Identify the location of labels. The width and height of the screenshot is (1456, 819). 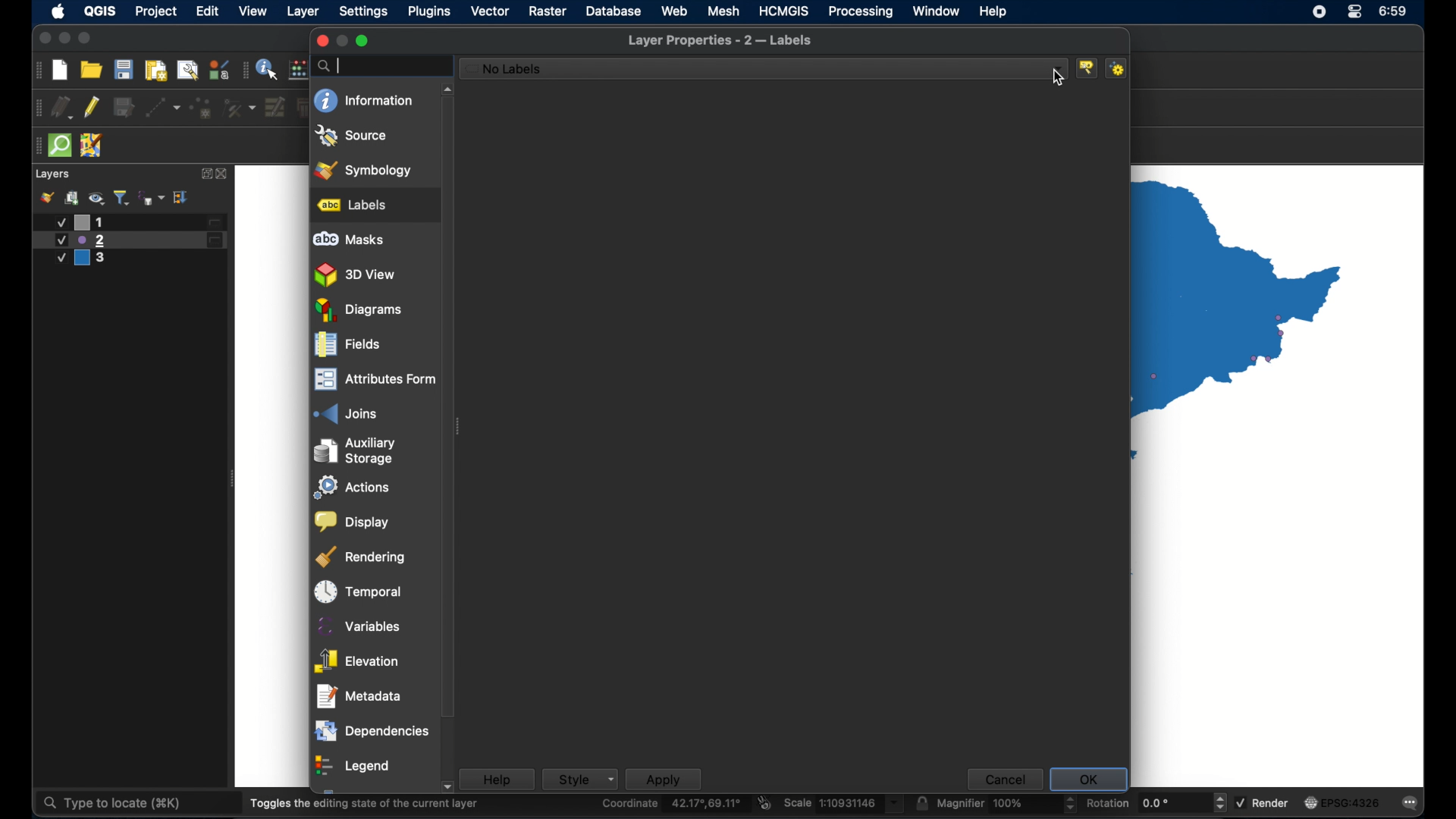
(353, 205).